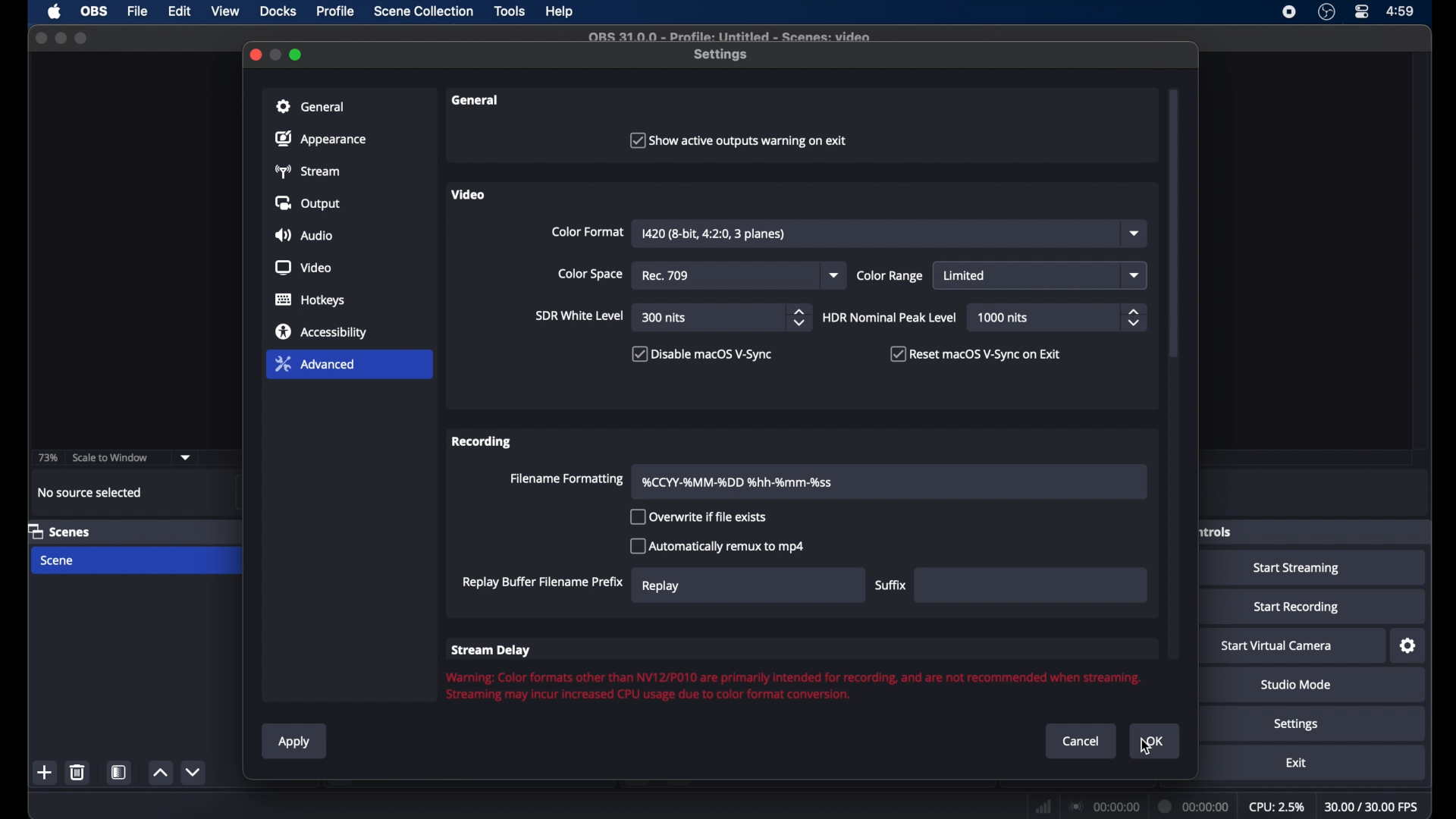 This screenshot has width=1456, height=819. What do you see at coordinates (890, 585) in the screenshot?
I see `suffix` at bounding box center [890, 585].